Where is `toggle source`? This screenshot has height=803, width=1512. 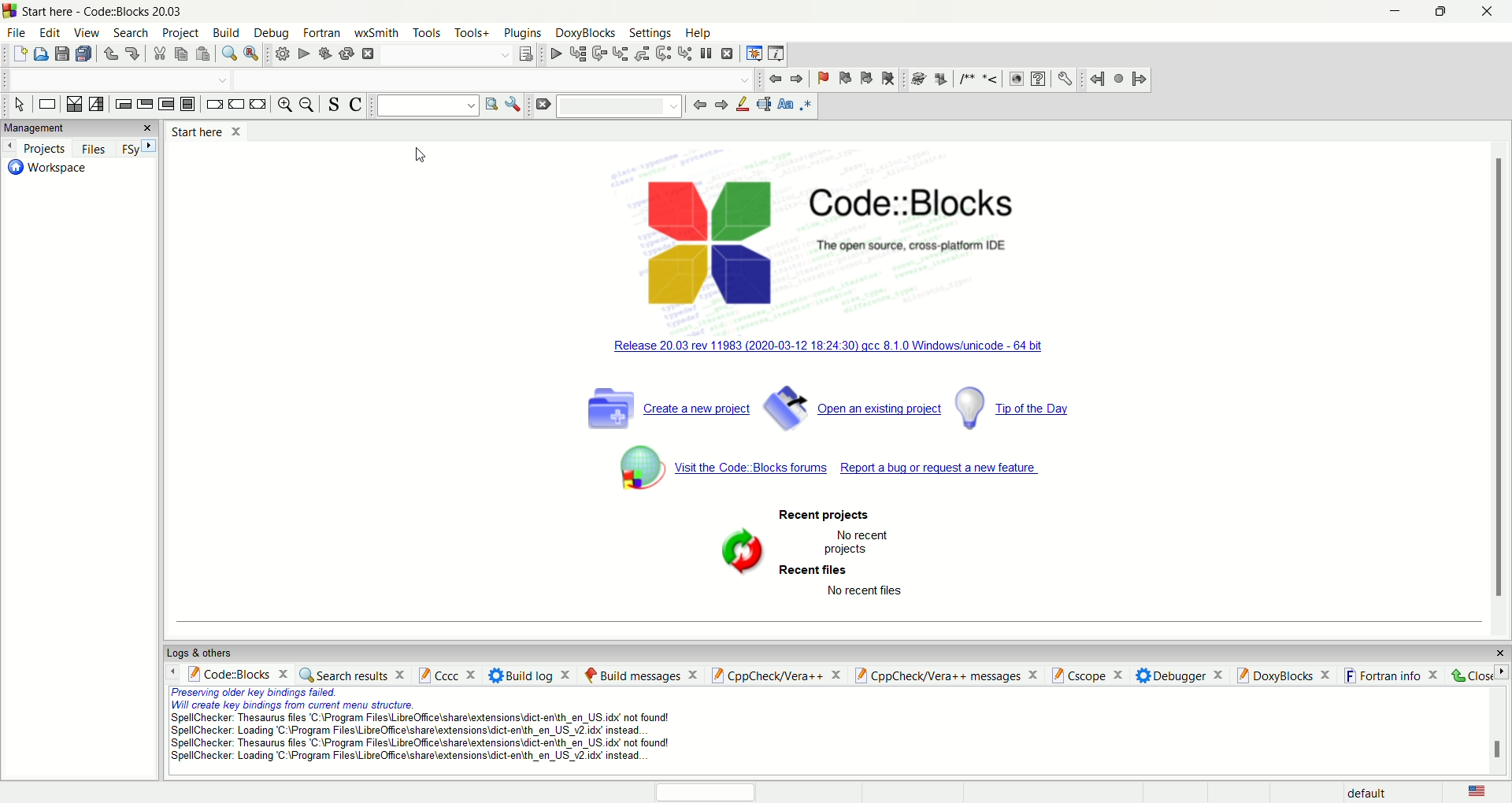
toggle source is located at coordinates (332, 105).